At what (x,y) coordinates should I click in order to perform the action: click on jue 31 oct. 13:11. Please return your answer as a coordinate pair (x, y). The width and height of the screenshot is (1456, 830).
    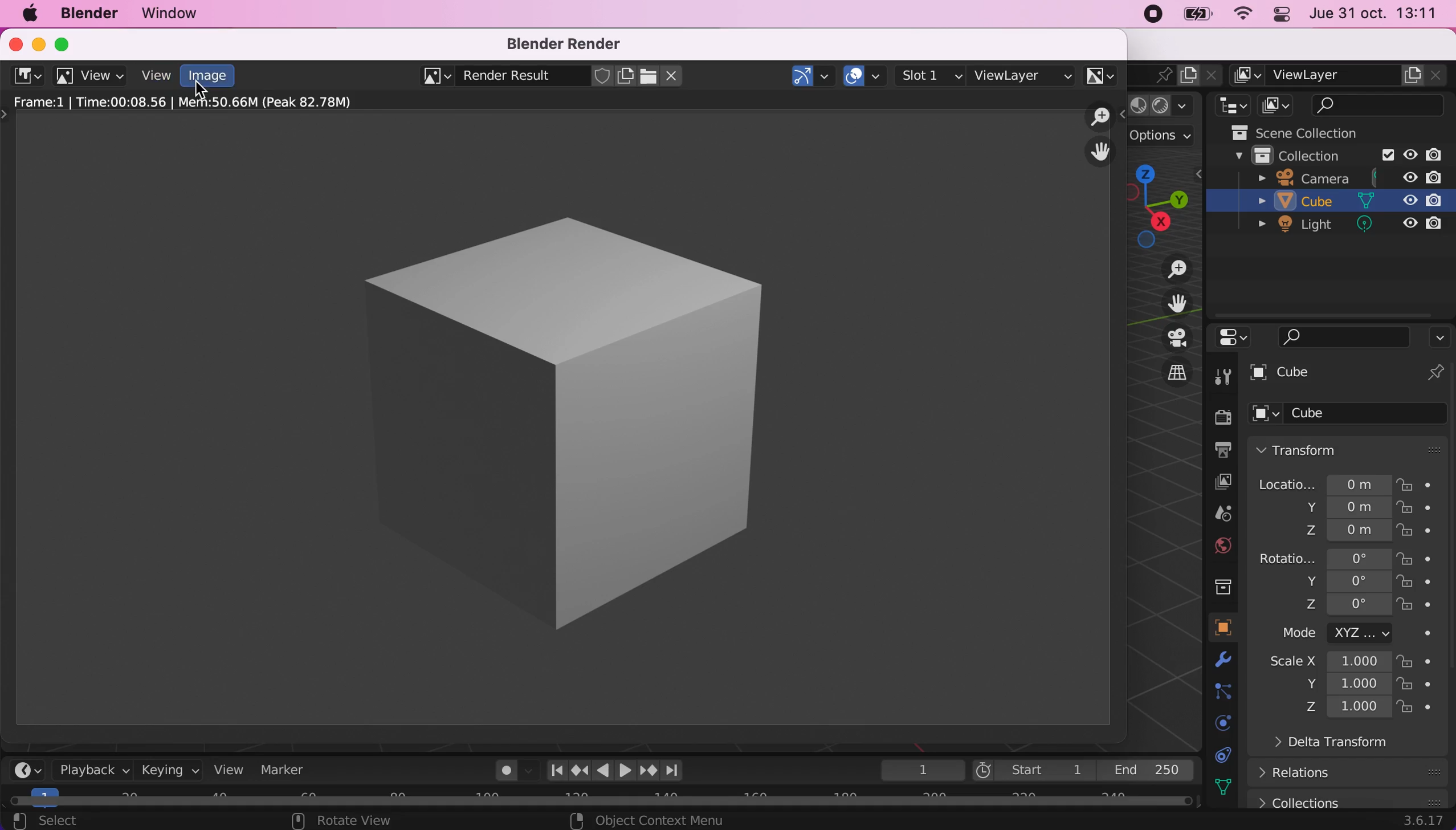
    Looking at the image, I should click on (1380, 15).